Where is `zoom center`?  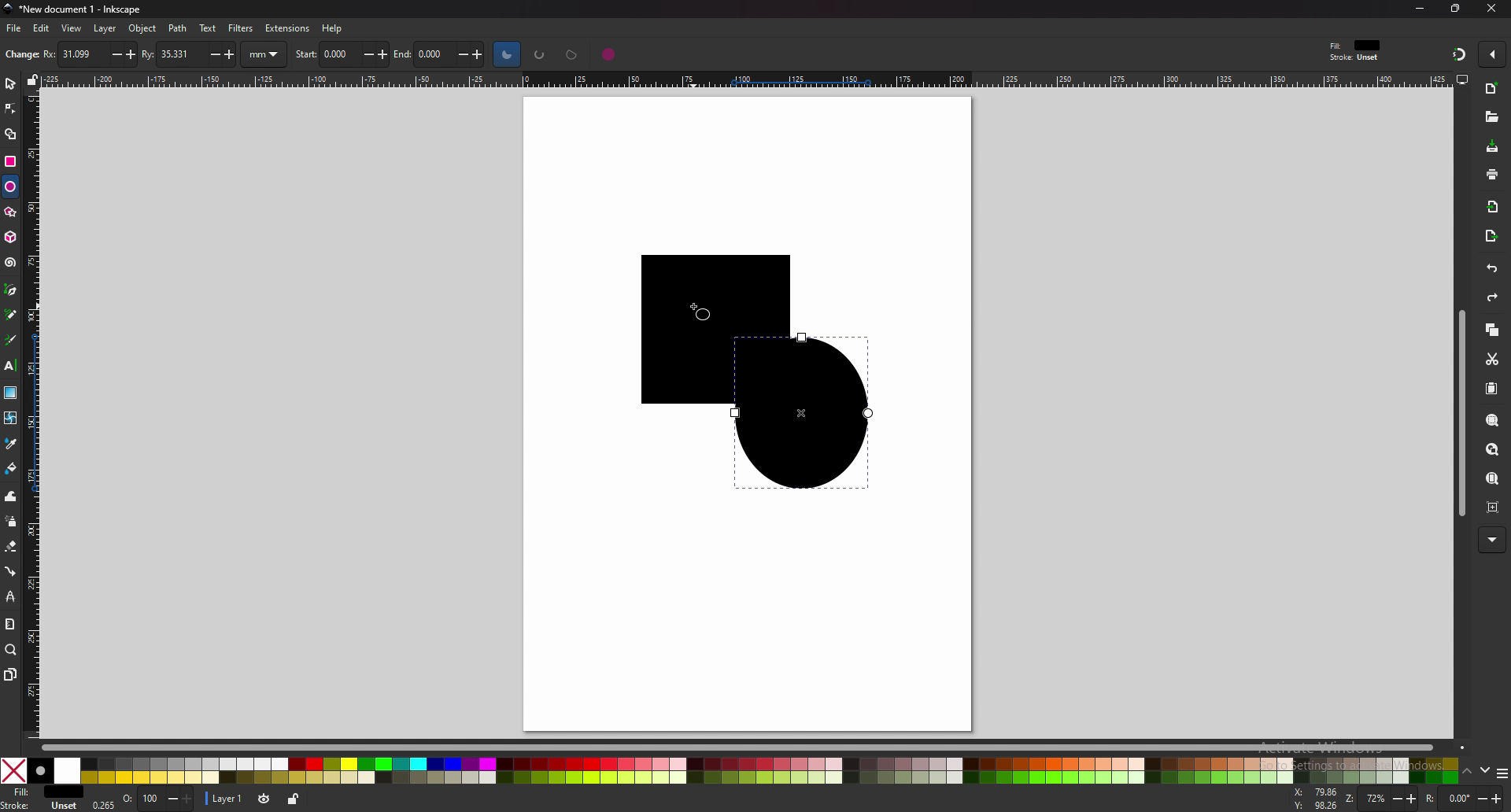
zoom center is located at coordinates (1490, 506).